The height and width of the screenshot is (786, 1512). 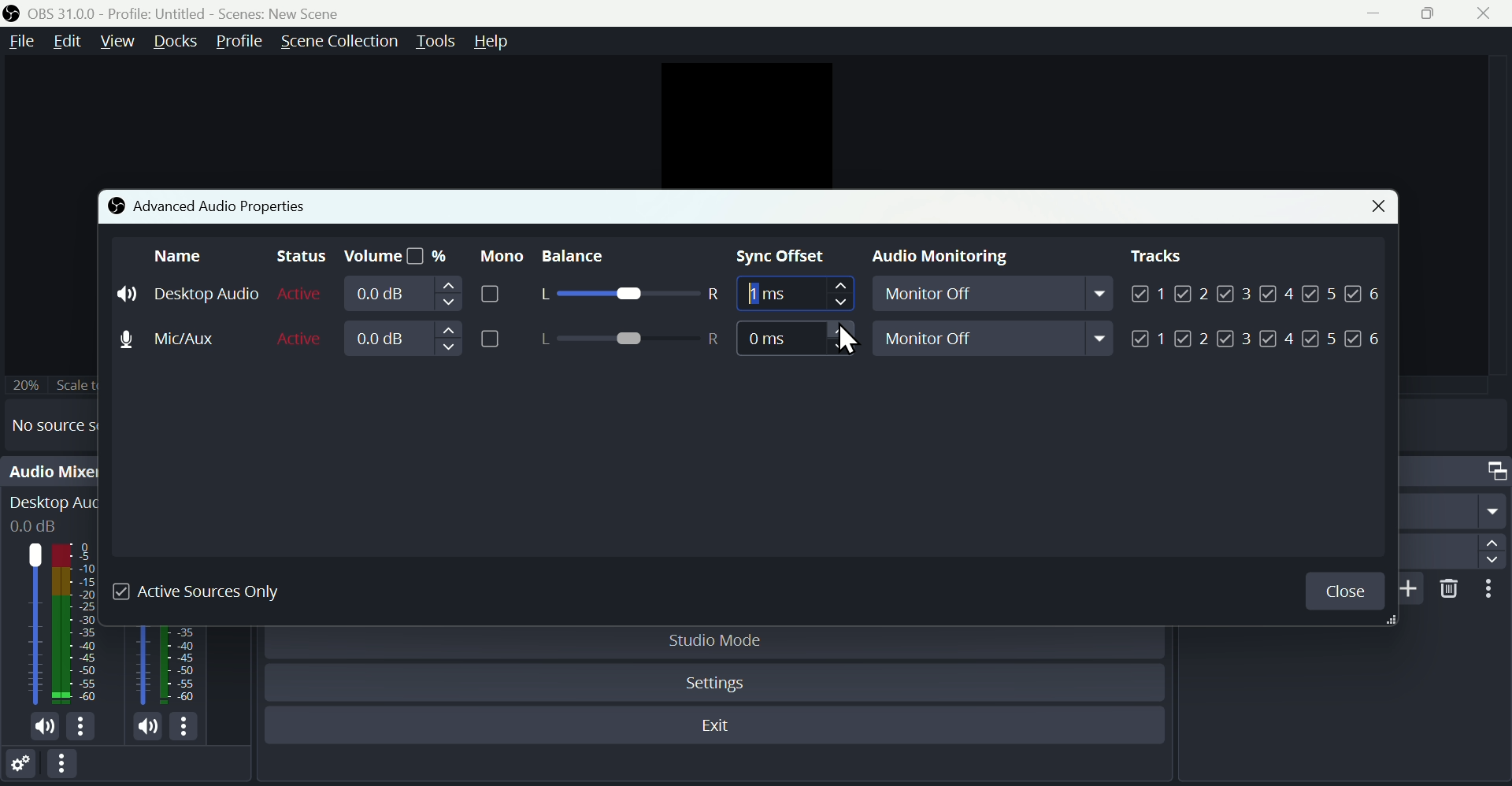 I want to click on File, so click(x=20, y=42).